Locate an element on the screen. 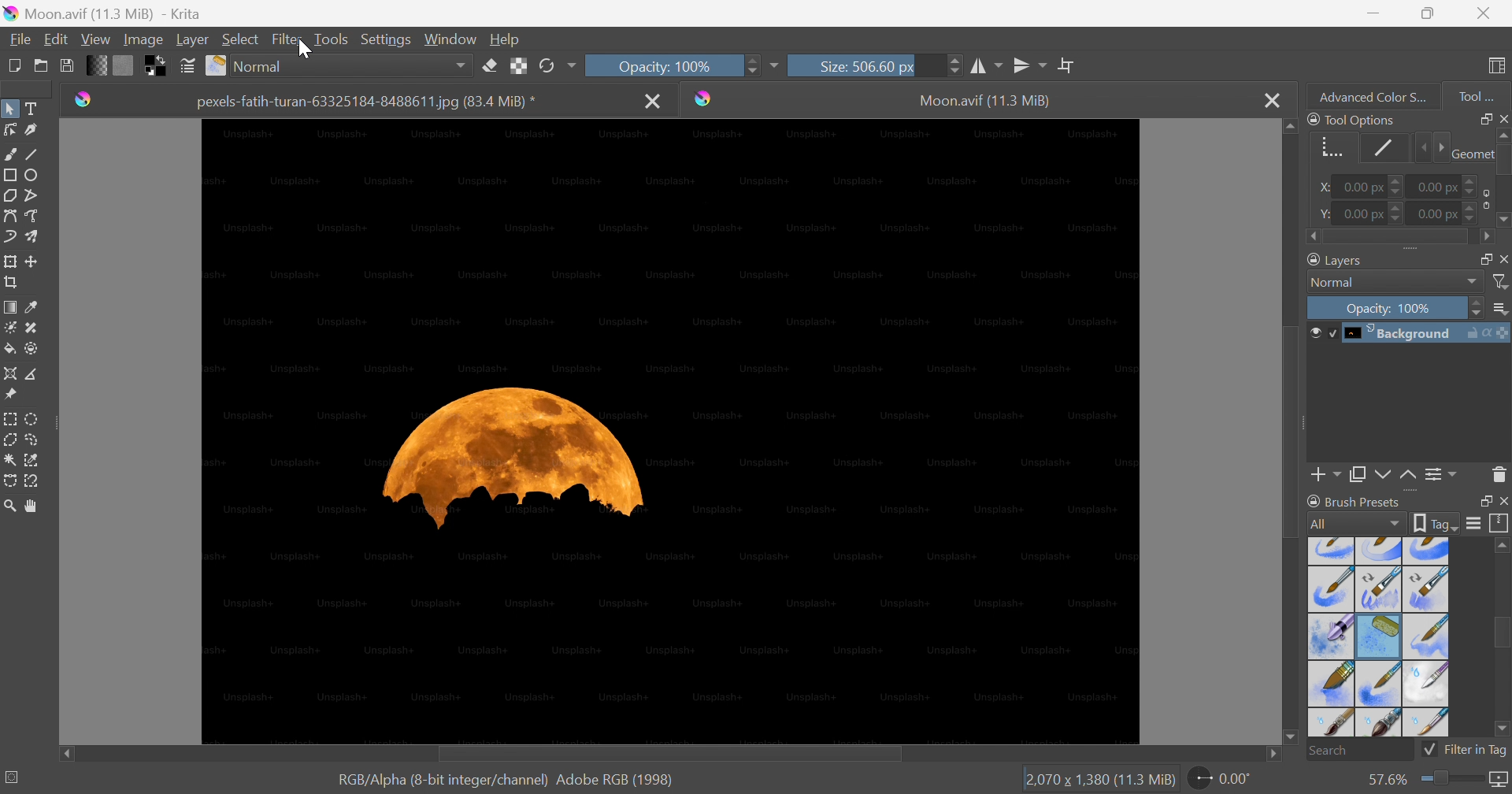 The height and width of the screenshot is (794, 1512). Restore down is located at coordinates (1480, 118).